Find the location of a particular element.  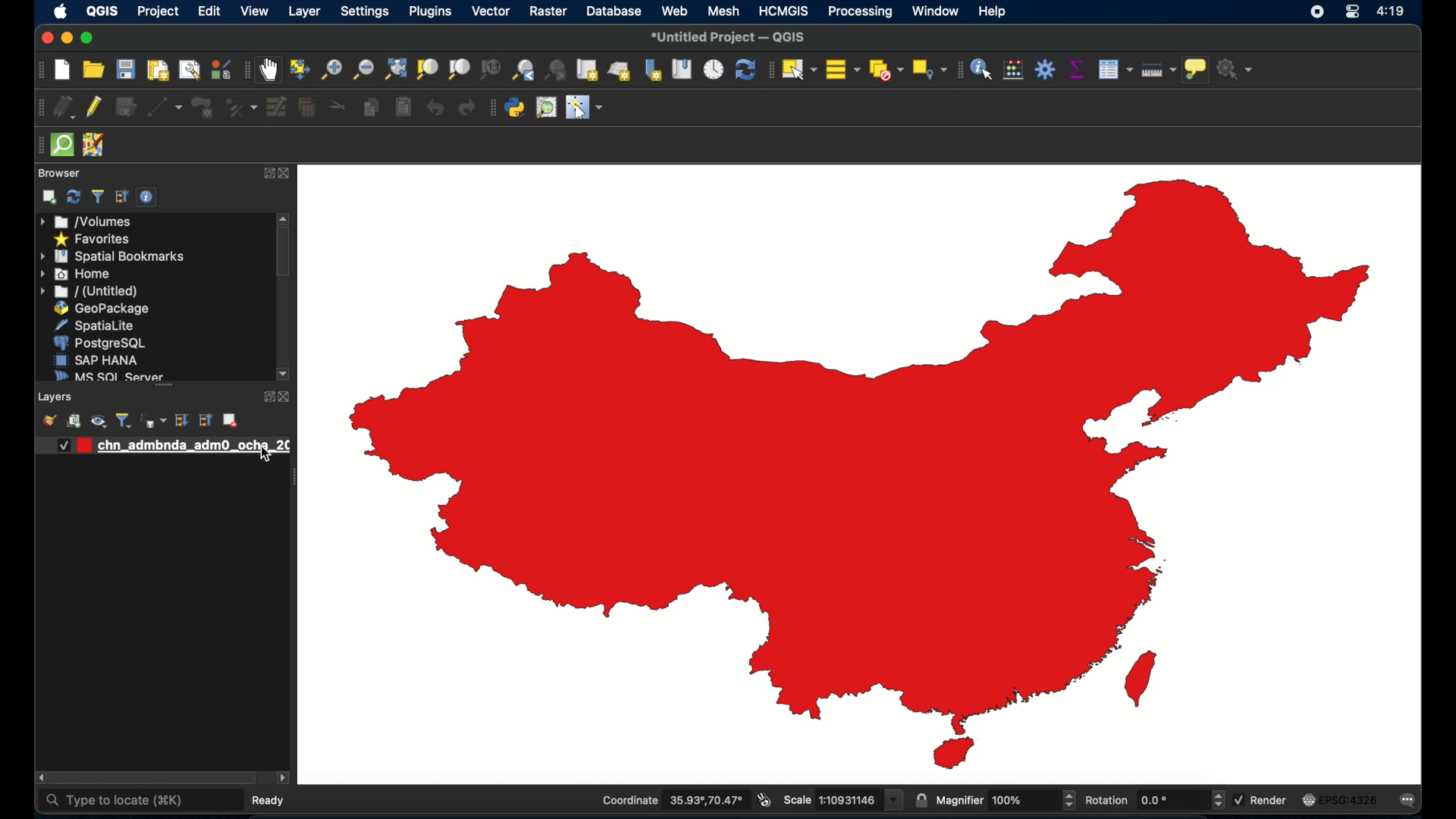

volumes menu is located at coordinates (87, 221).